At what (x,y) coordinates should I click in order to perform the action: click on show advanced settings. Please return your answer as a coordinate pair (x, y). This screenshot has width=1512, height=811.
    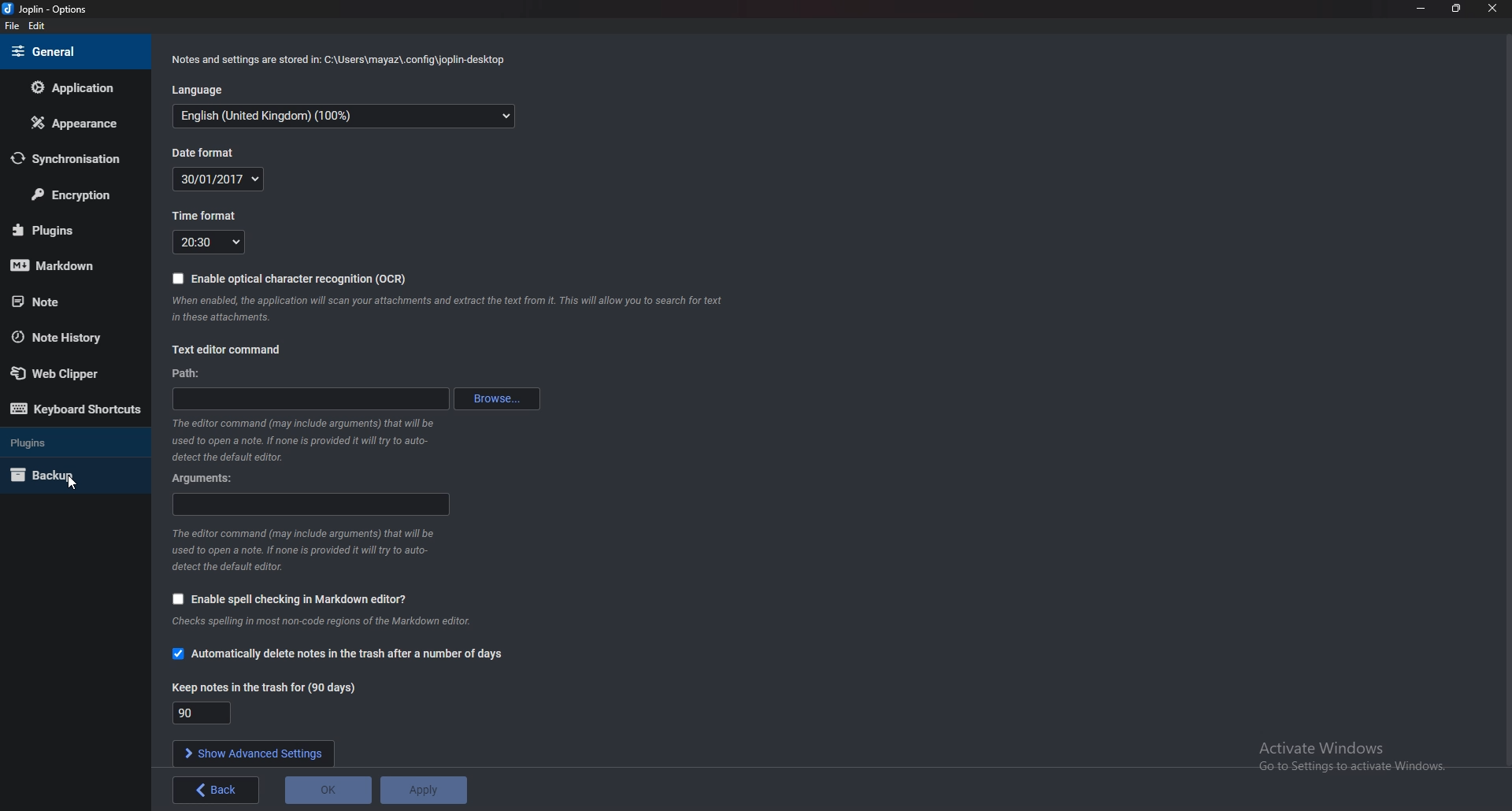
    Looking at the image, I should click on (250, 753).